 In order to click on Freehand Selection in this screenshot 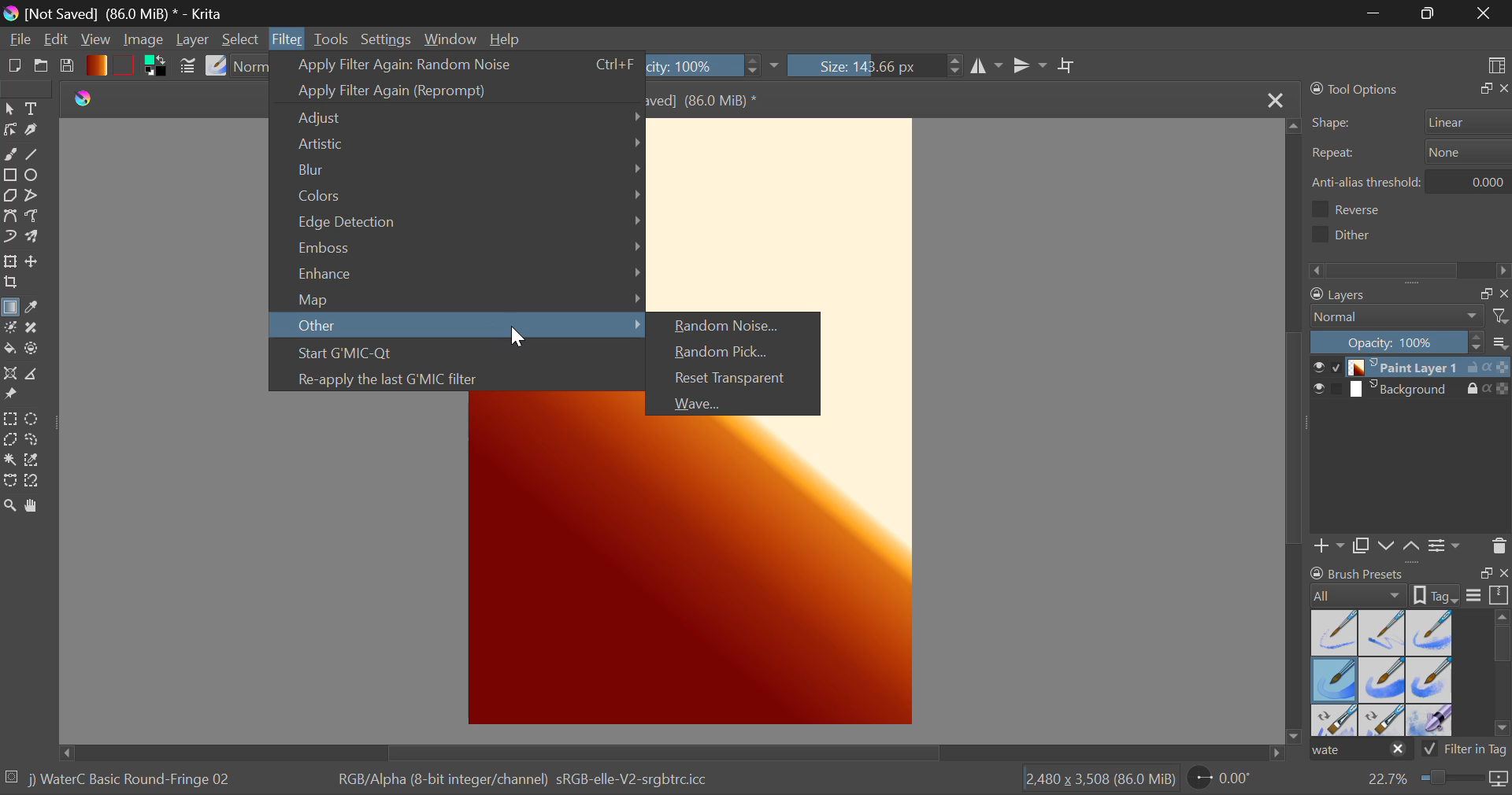, I will do `click(36, 442)`.